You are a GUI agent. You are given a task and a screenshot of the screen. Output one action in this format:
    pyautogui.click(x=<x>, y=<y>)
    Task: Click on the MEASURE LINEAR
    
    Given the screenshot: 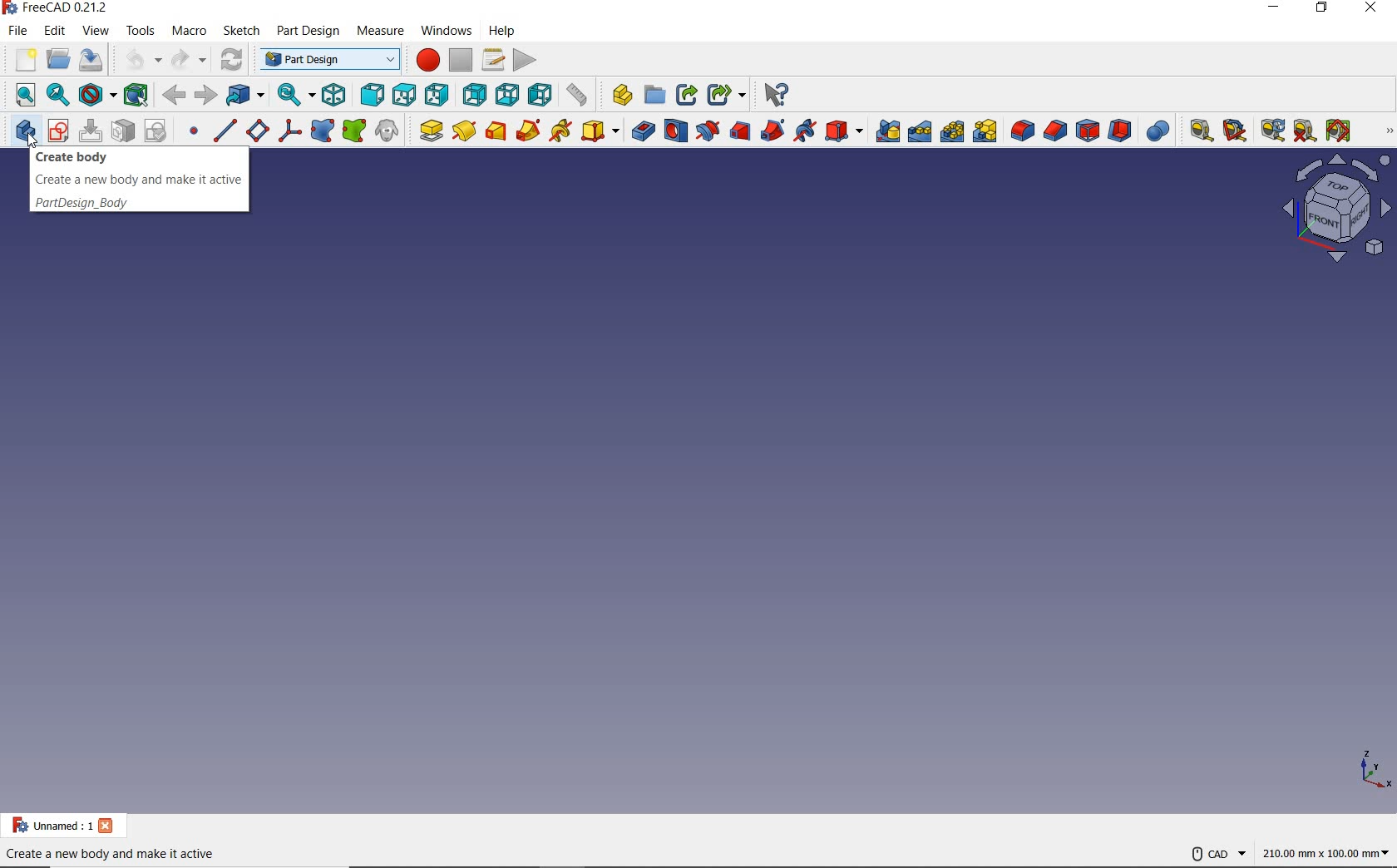 What is the action you would take?
    pyautogui.click(x=1199, y=129)
    